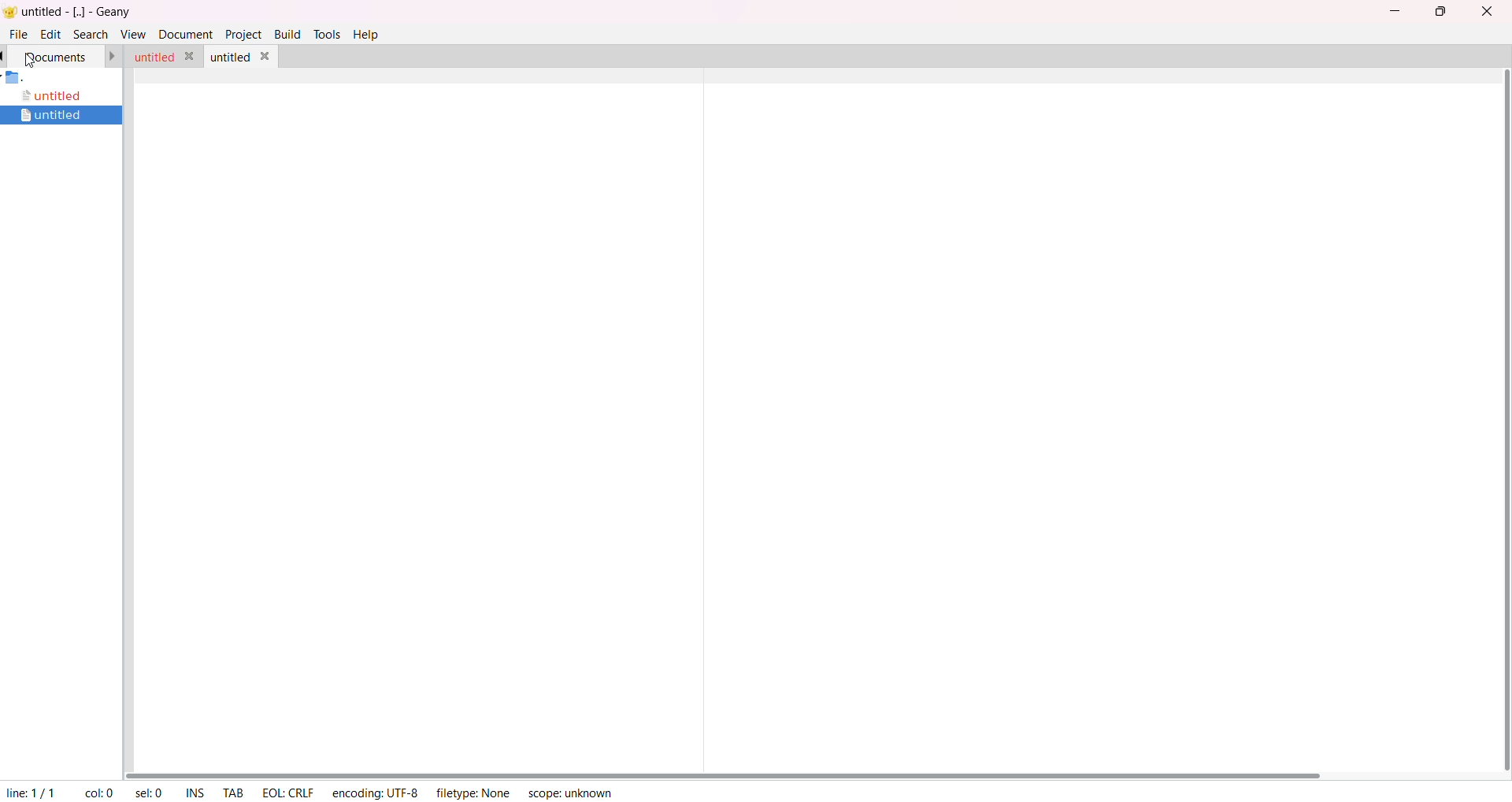  What do you see at coordinates (1440, 12) in the screenshot?
I see `maximize` at bounding box center [1440, 12].